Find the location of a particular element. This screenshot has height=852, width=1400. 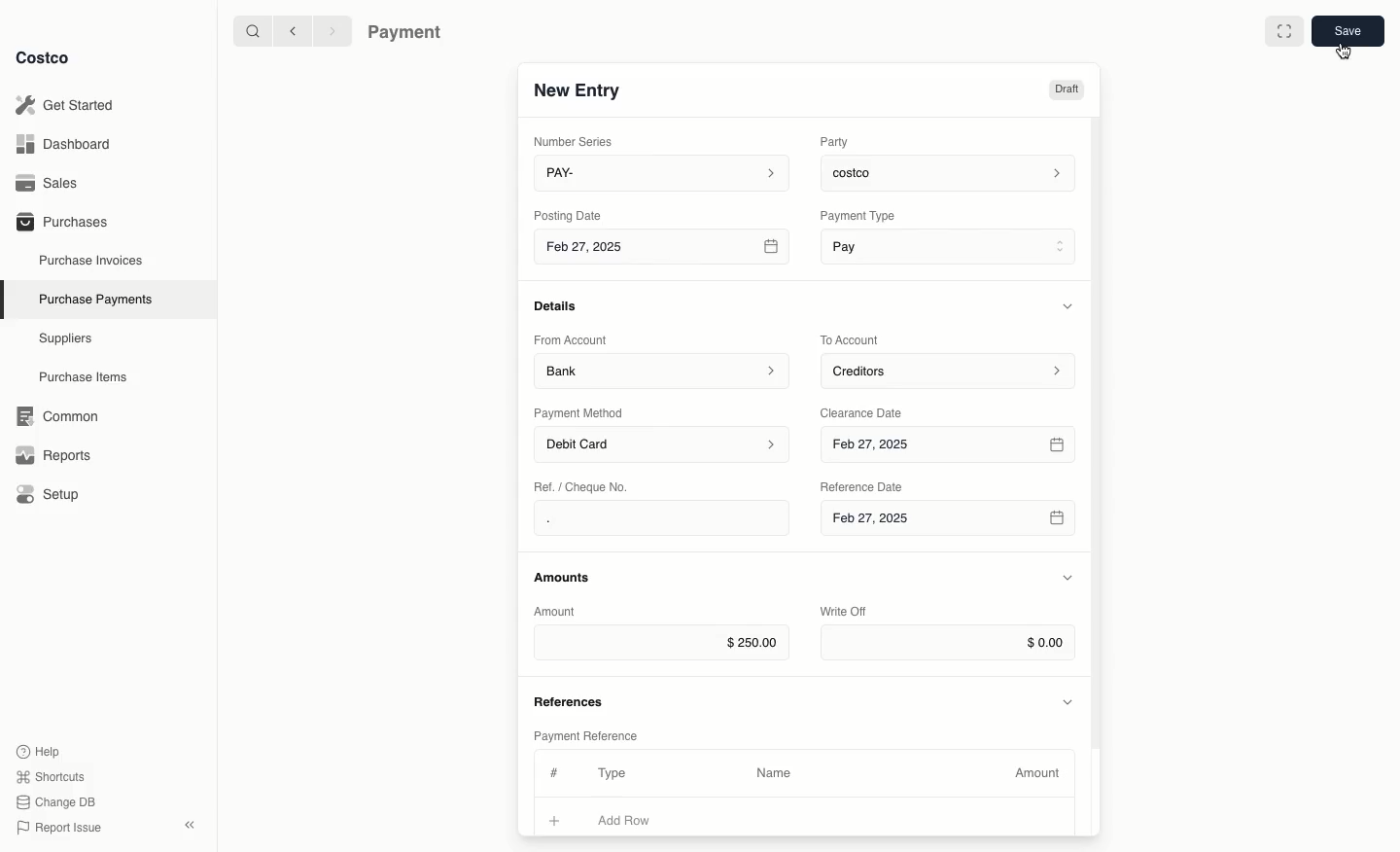

Party is located at coordinates (838, 141).